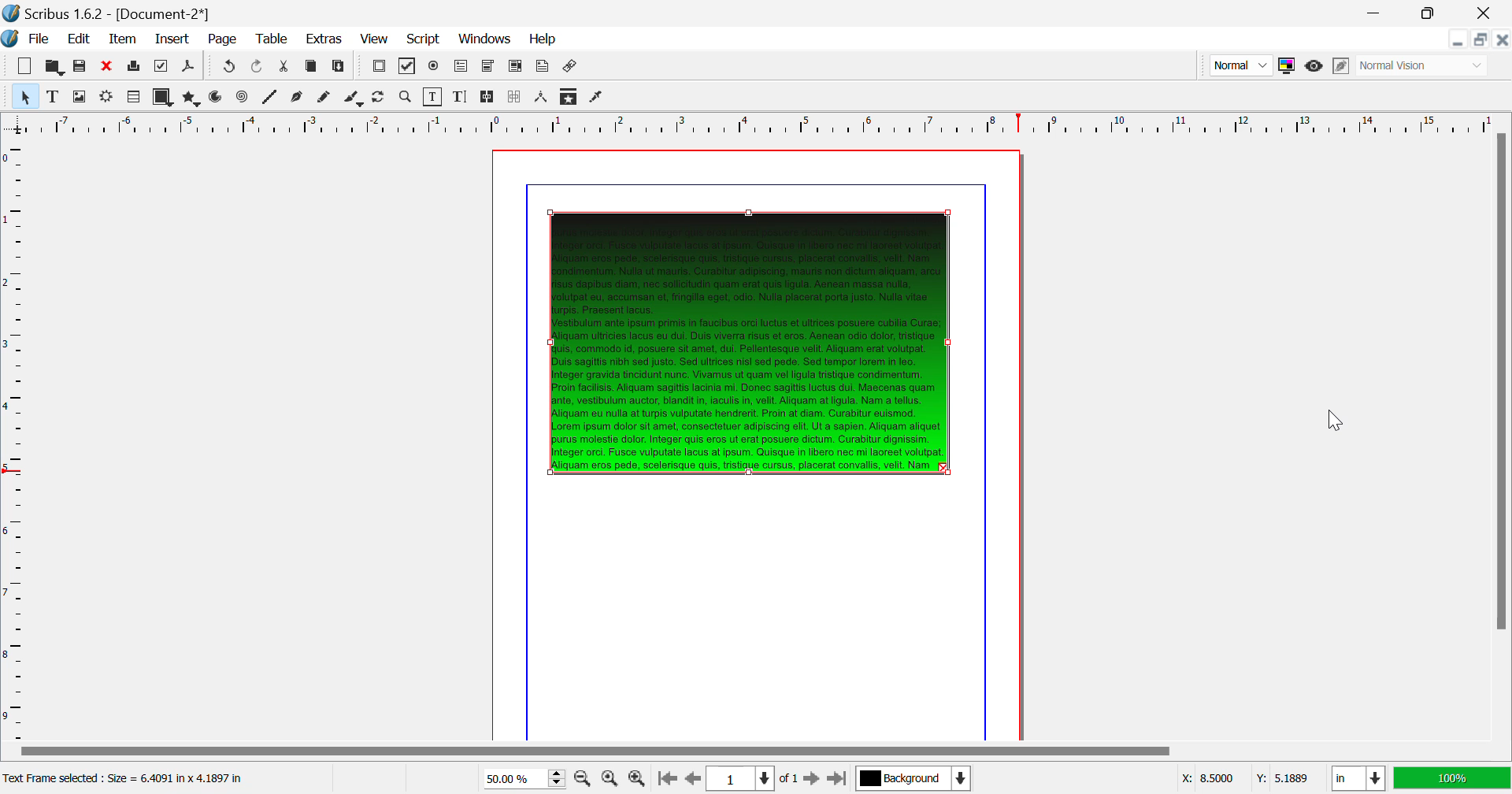 The image size is (1512, 794). Describe the element at coordinates (127, 779) in the screenshot. I see `Text Frame selected: Size = 6.4091 in x 4.1897 in` at that location.